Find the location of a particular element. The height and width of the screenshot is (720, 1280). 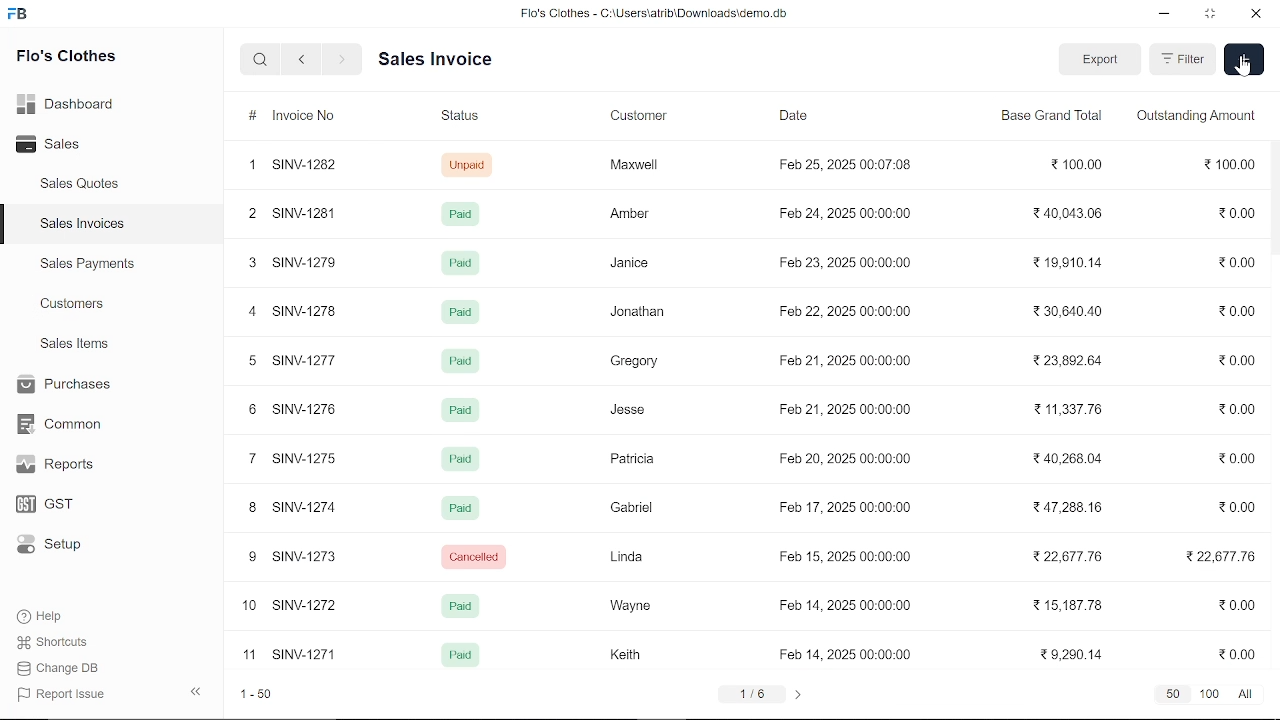

Sales Items is located at coordinates (74, 346).